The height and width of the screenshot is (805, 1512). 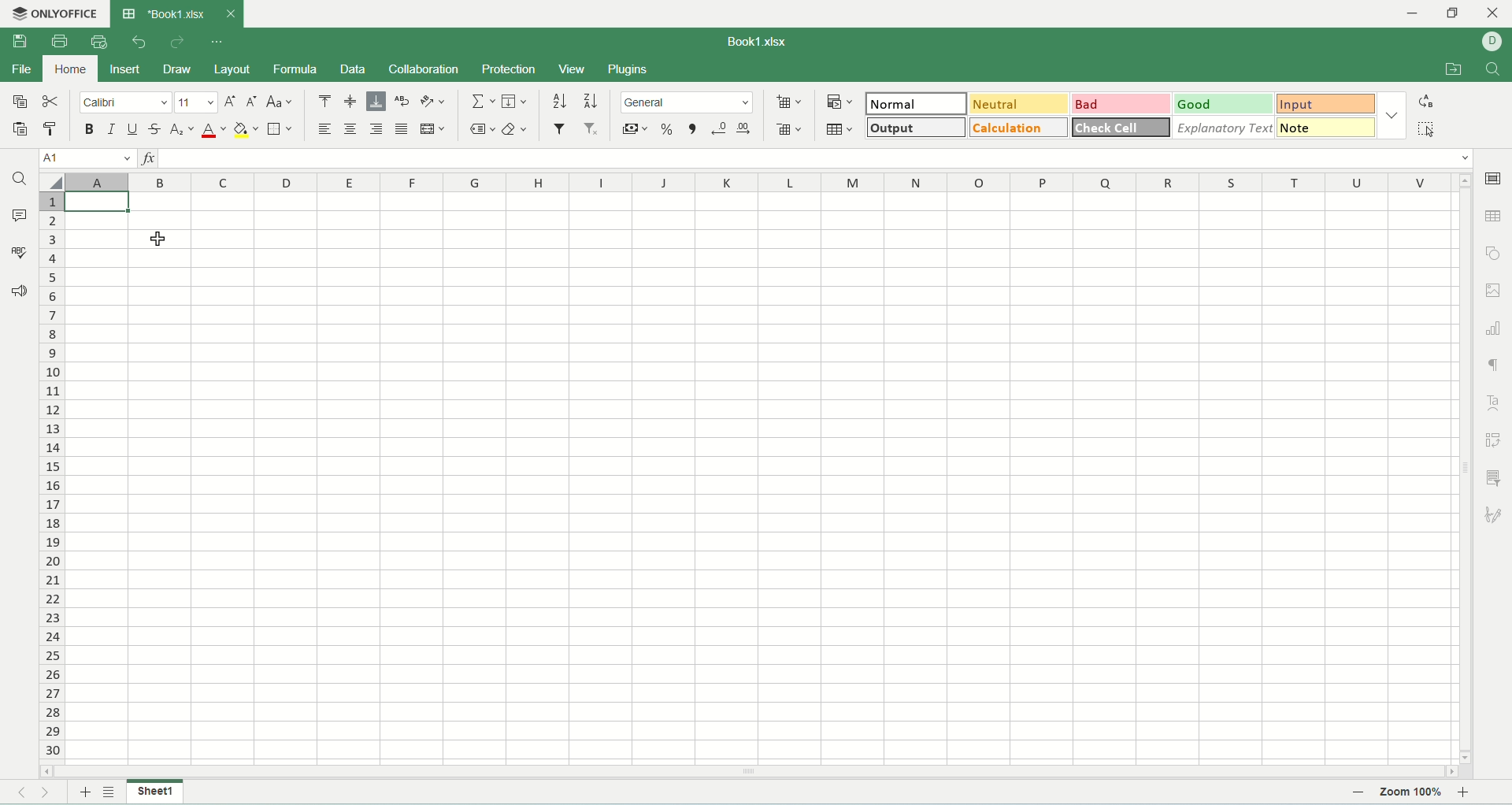 I want to click on zoom out, so click(x=1358, y=792).